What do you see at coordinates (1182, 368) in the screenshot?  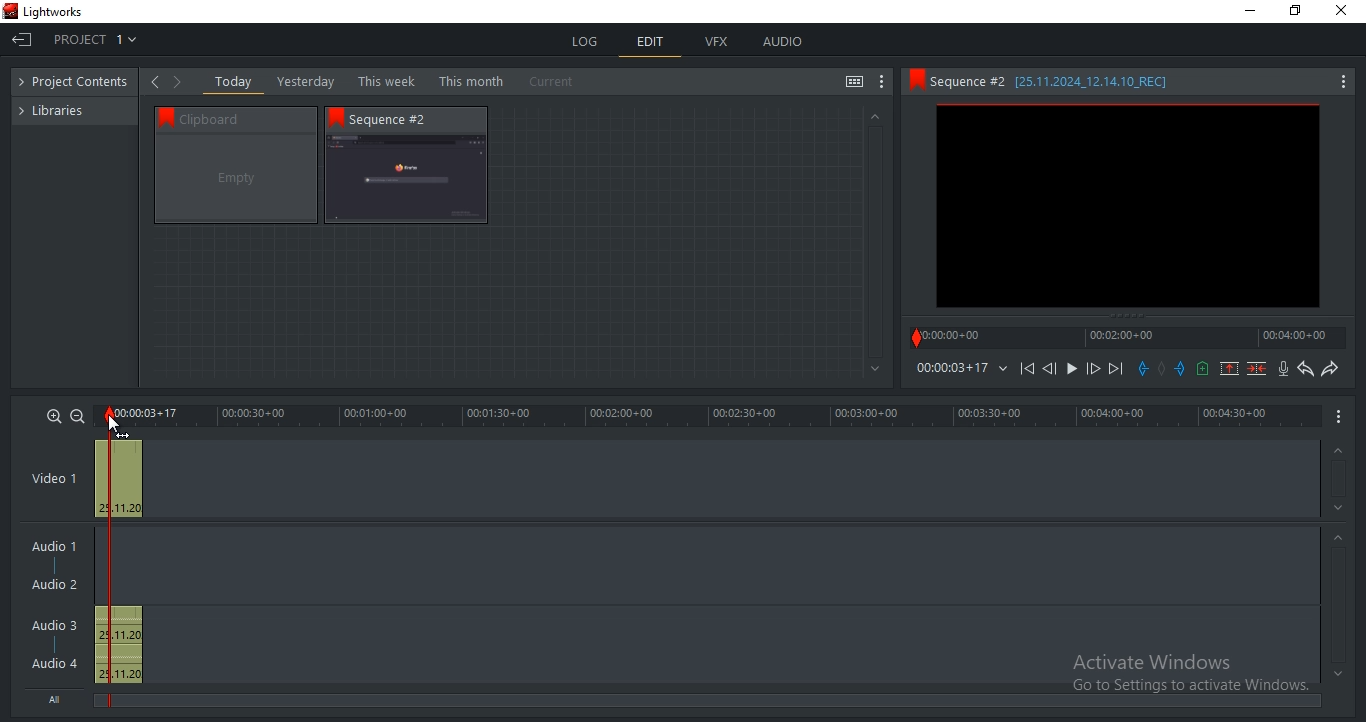 I see `mark out` at bounding box center [1182, 368].